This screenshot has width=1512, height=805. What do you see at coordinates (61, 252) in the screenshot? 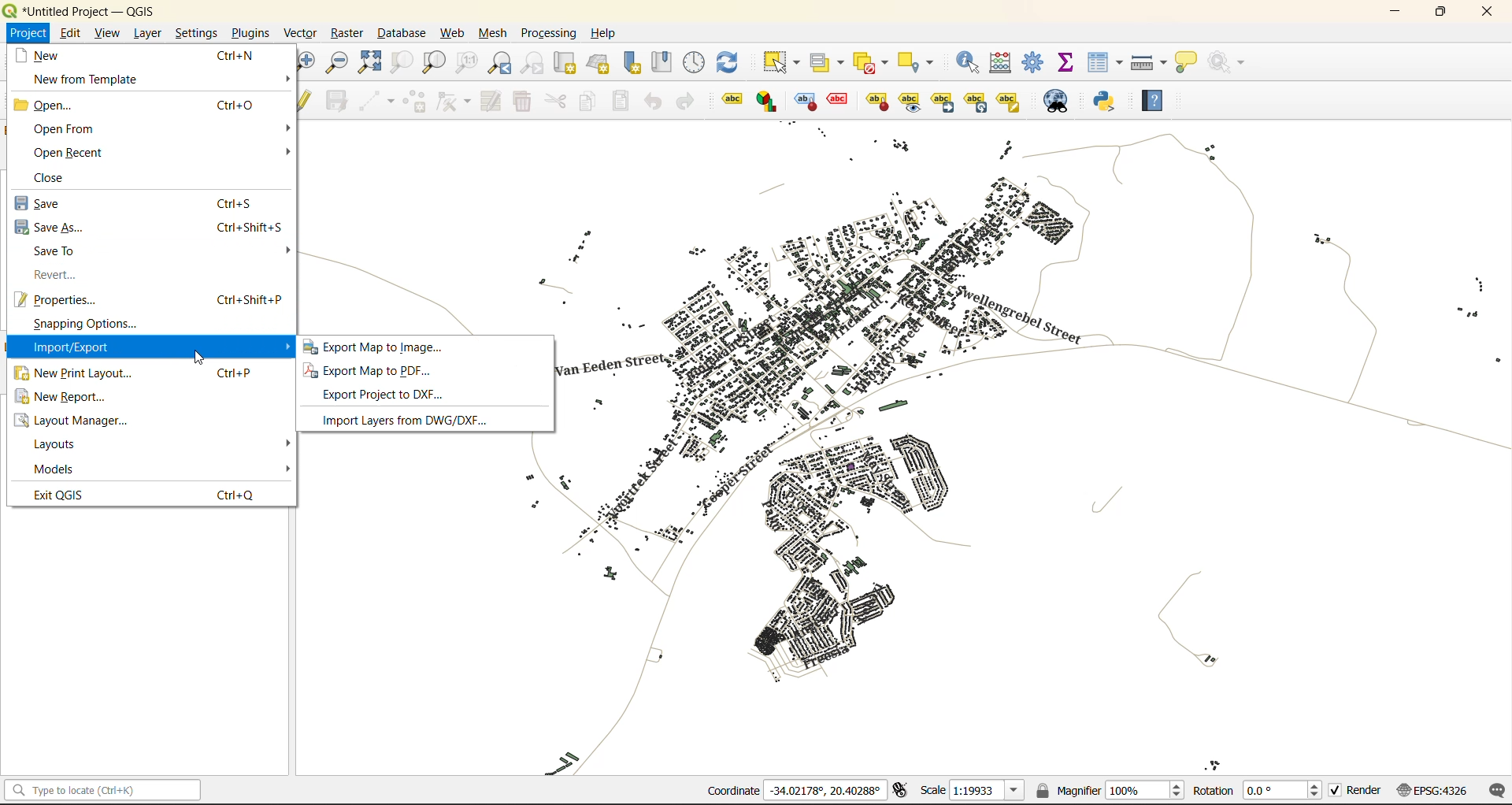
I see `save to` at bounding box center [61, 252].